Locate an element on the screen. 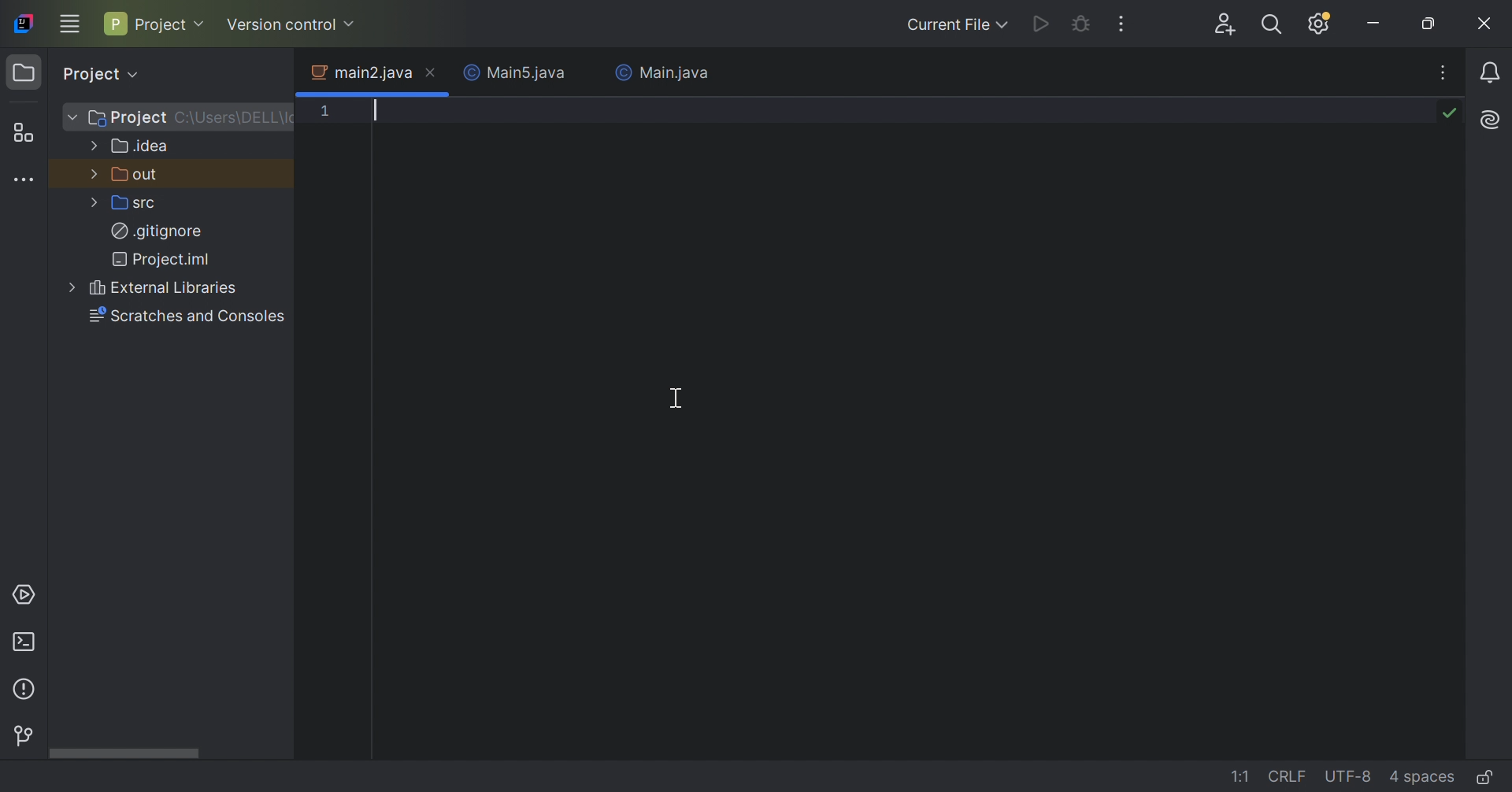 The width and height of the screenshot is (1512, 792). Main.java is located at coordinates (661, 72).